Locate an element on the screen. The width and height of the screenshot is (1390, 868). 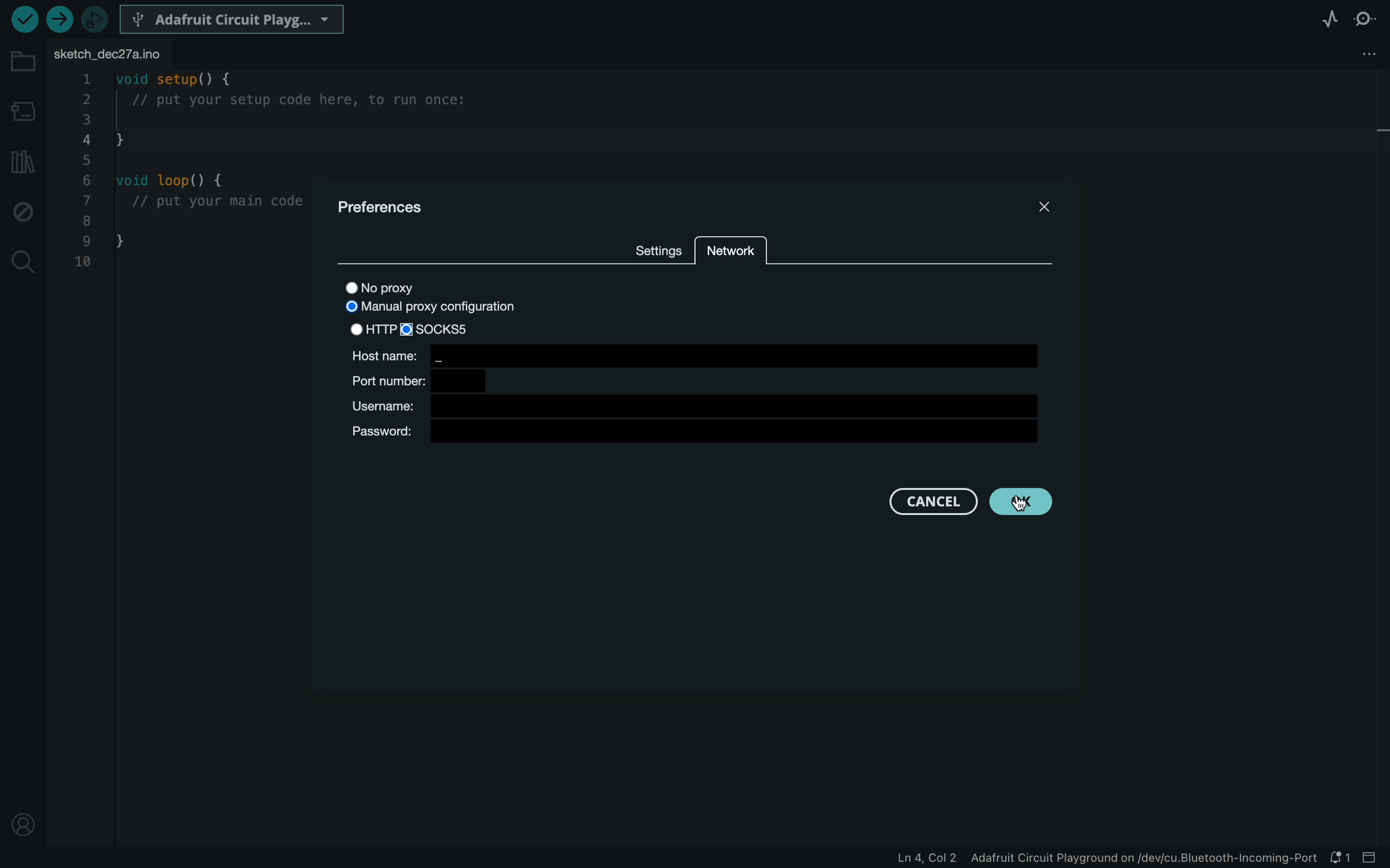
network is located at coordinates (737, 248).